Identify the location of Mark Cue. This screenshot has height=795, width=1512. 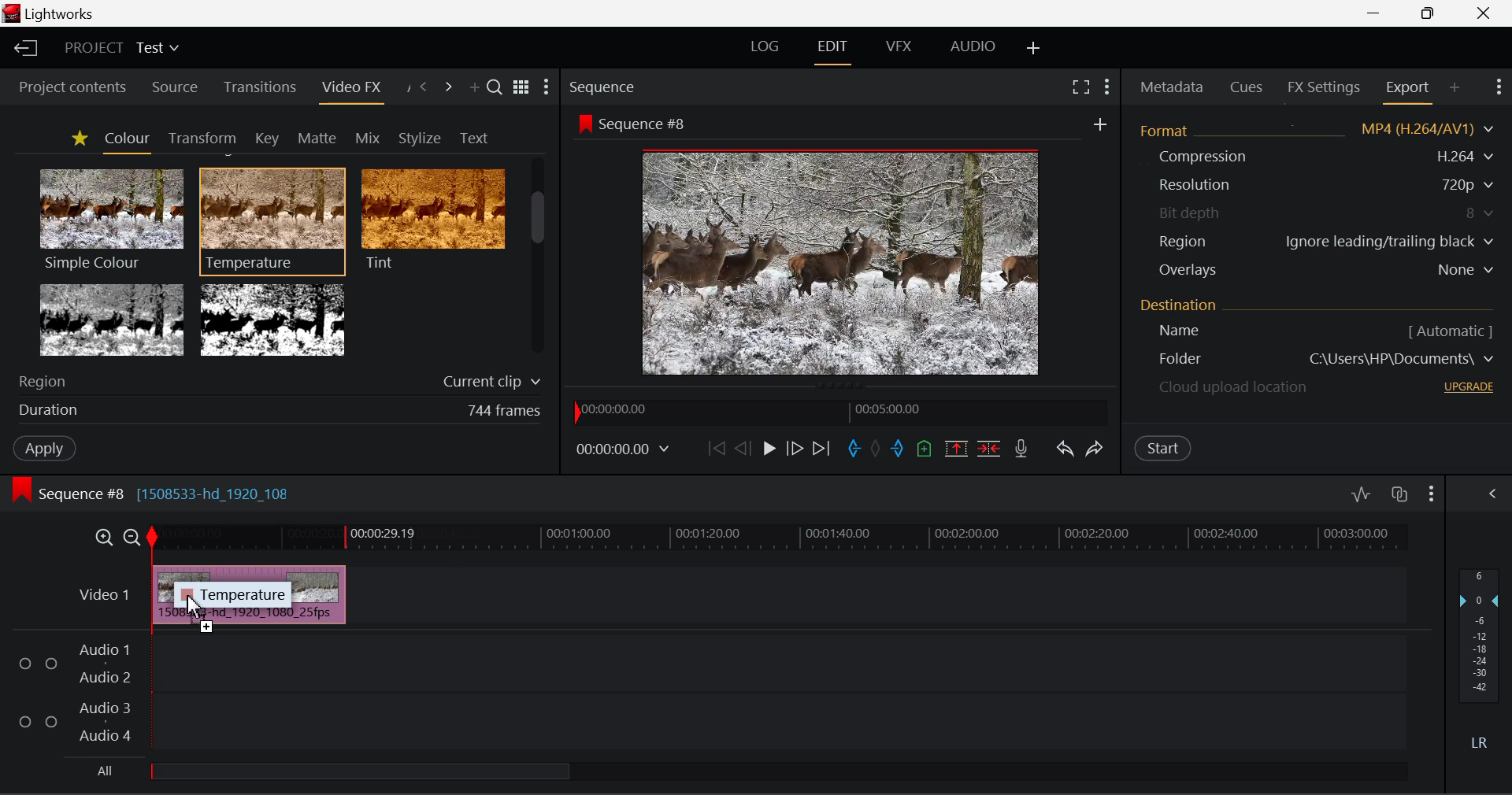
(925, 450).